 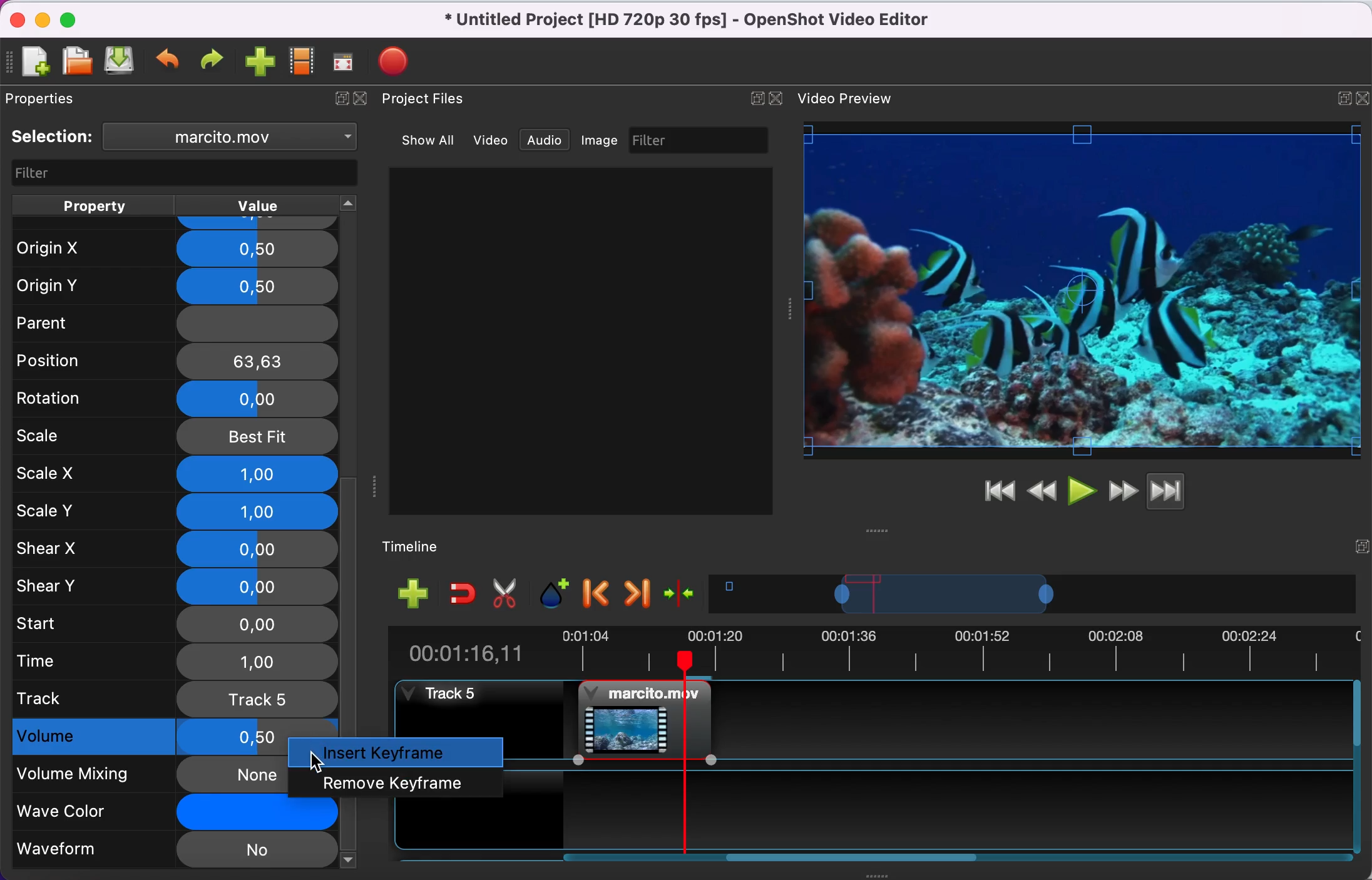 I want to click on properties, so click(x=60, y=101).